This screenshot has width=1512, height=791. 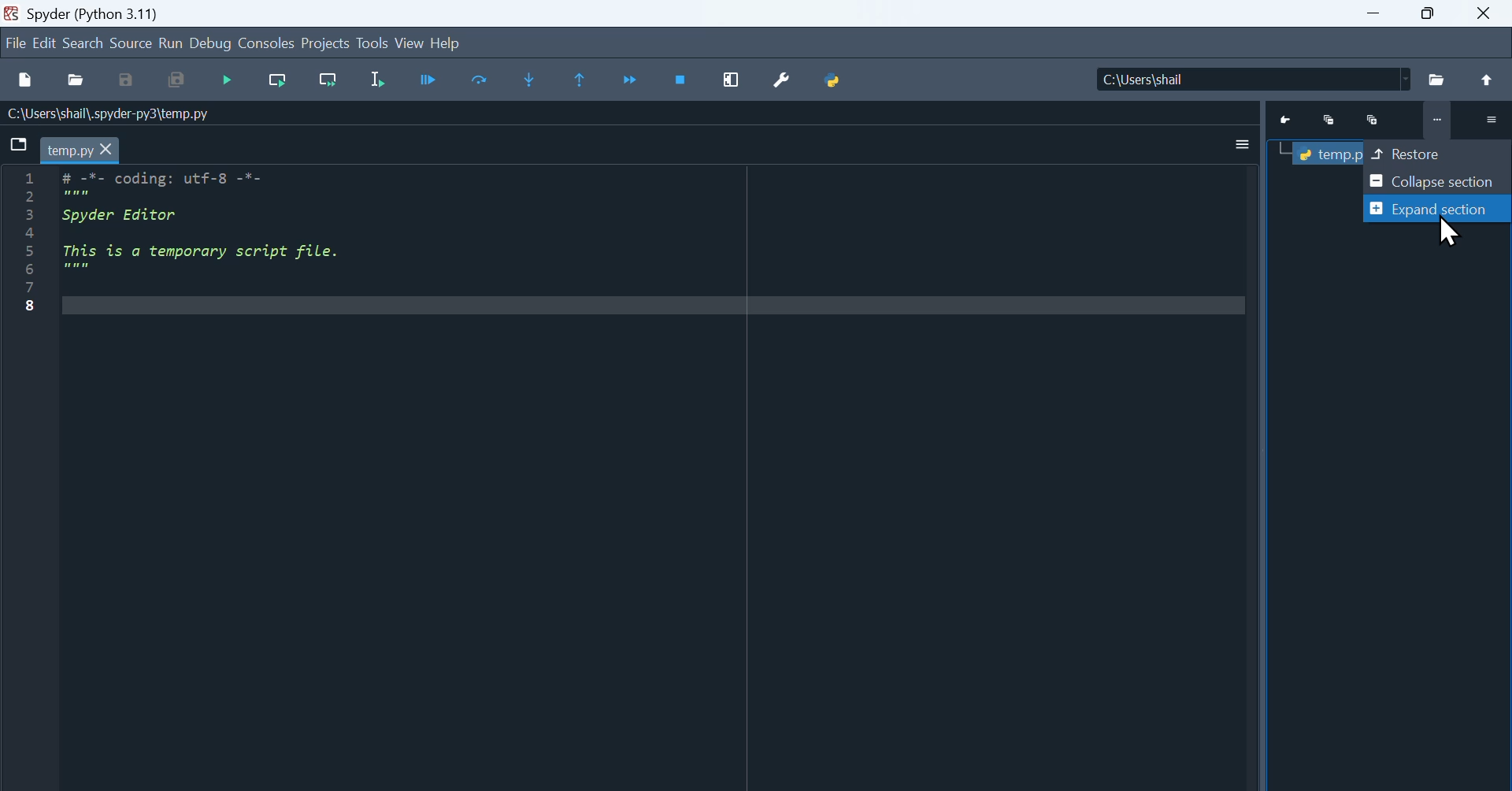 I want to click on More options, so click(x=1488, y=119).